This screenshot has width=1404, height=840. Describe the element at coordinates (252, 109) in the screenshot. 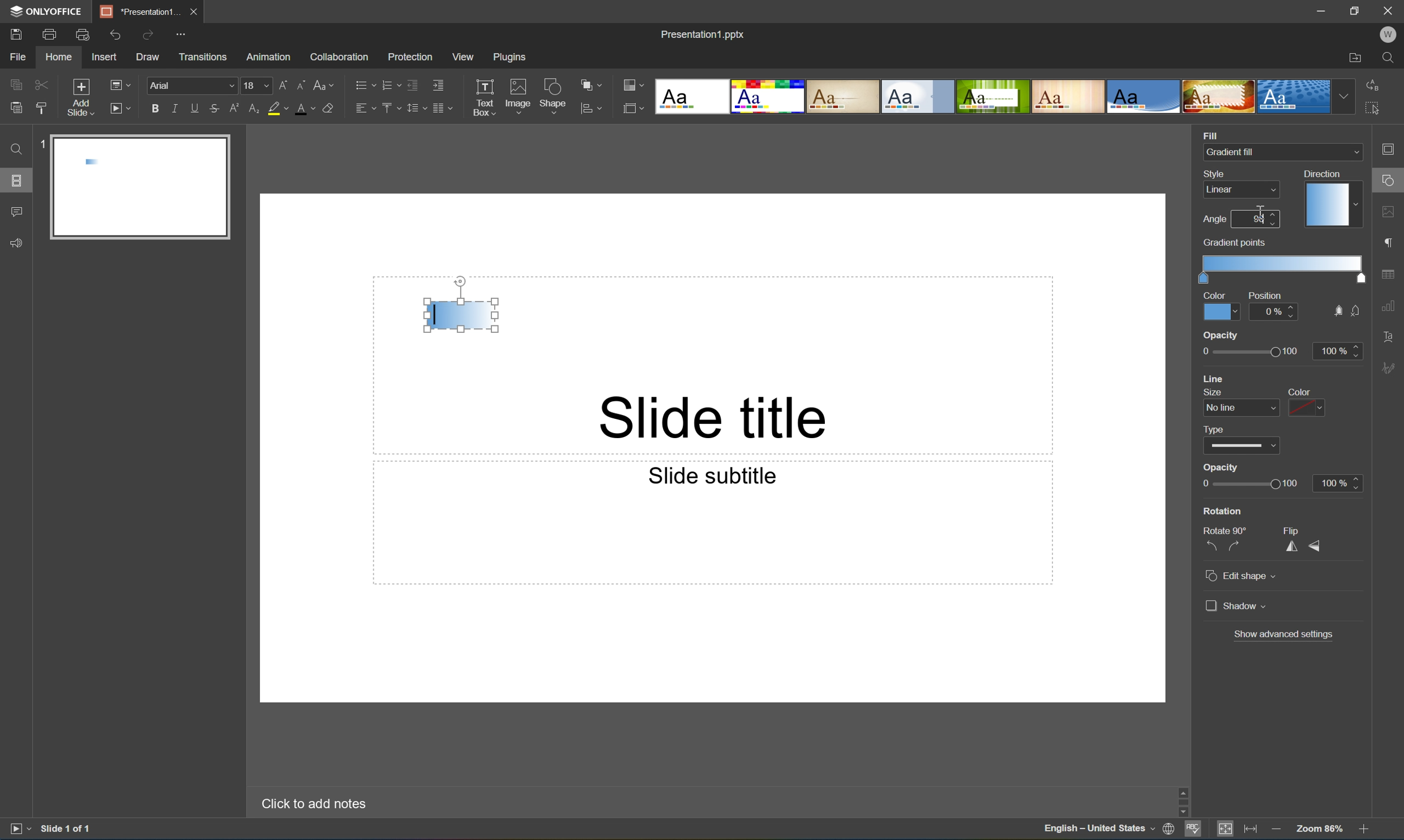

I see `Subscript` at that location.